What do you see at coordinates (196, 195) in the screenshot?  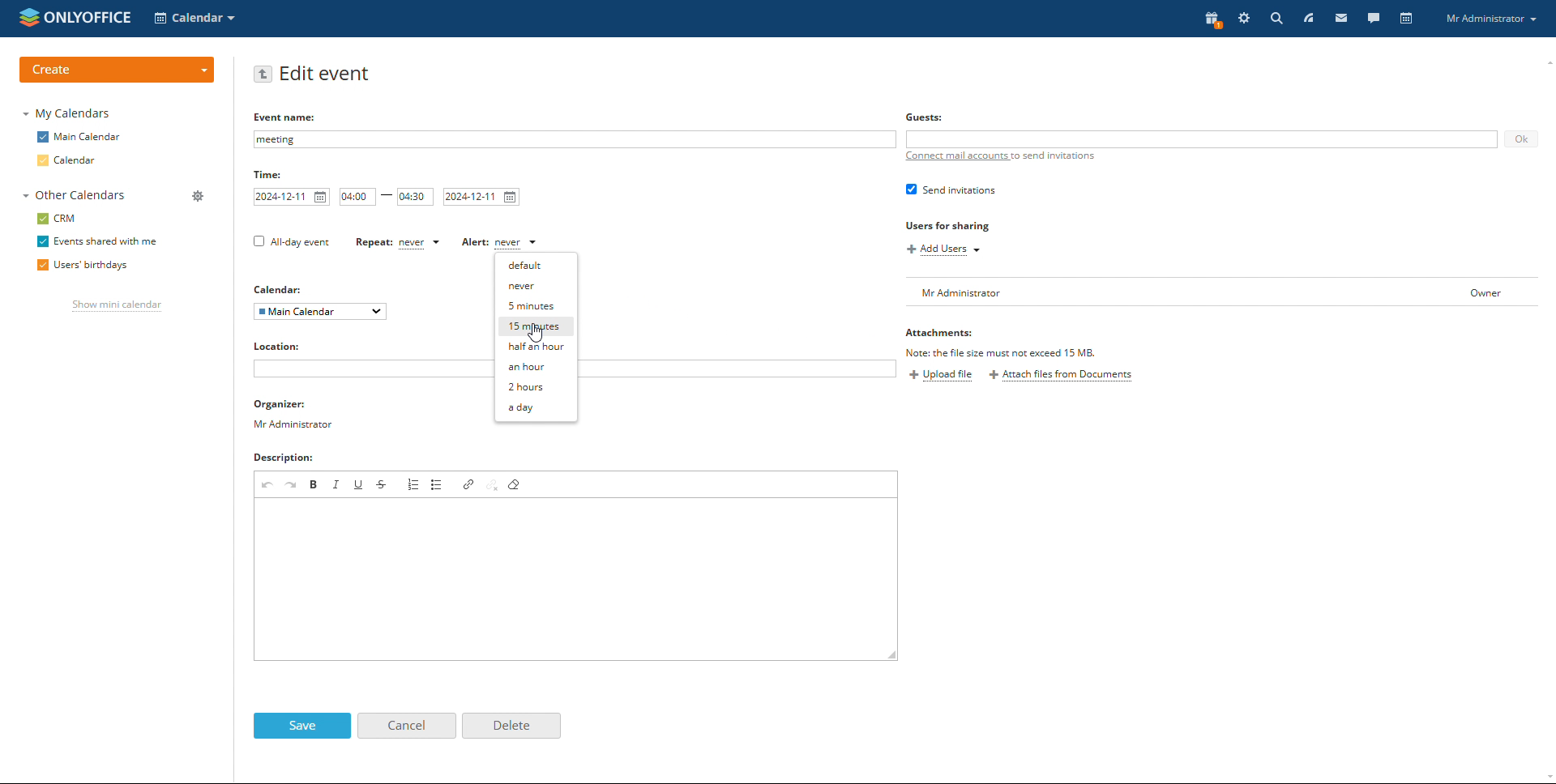 I see `manage` at bounding box center [196, 195].